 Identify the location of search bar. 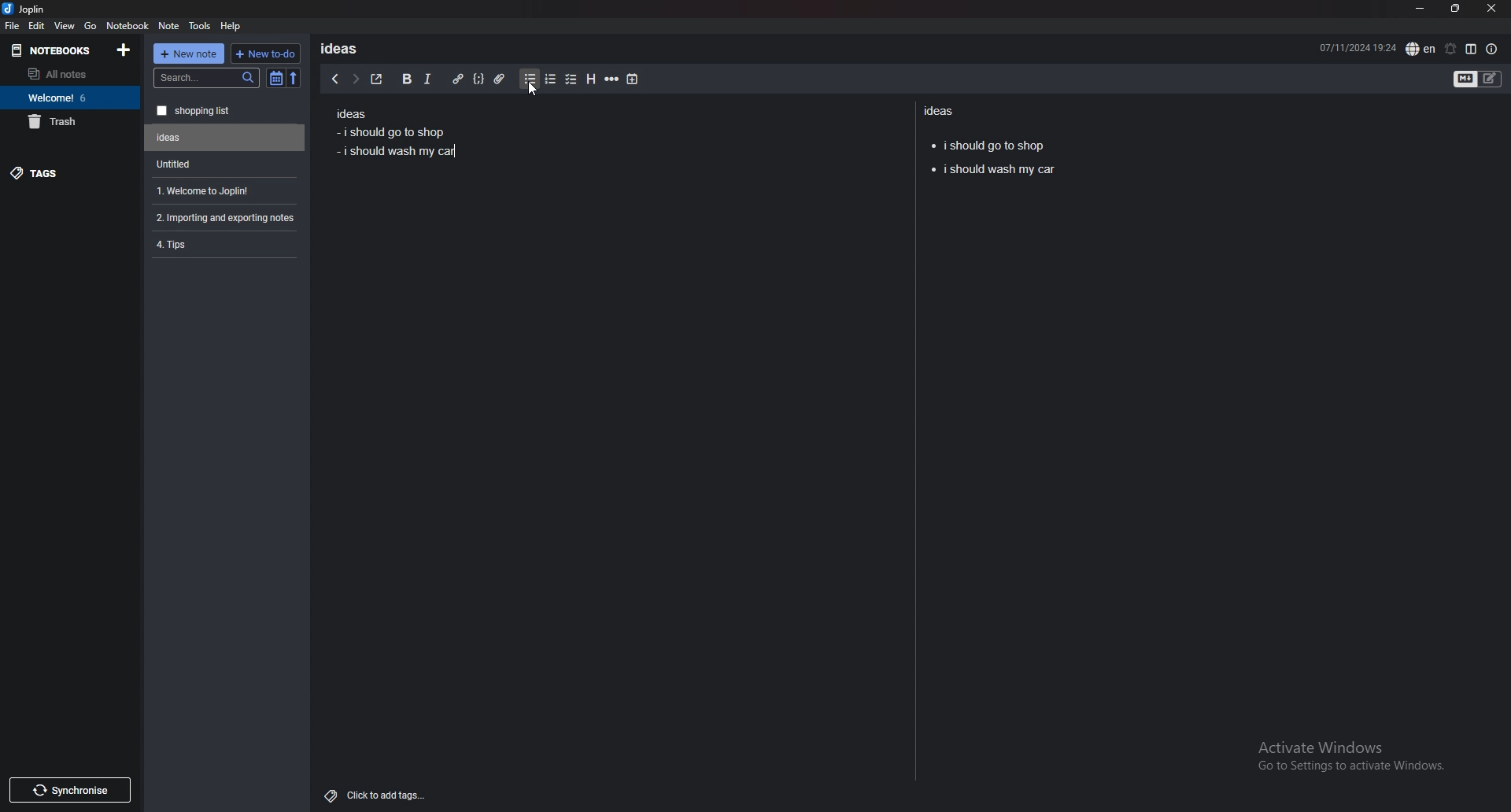
(207, 78).